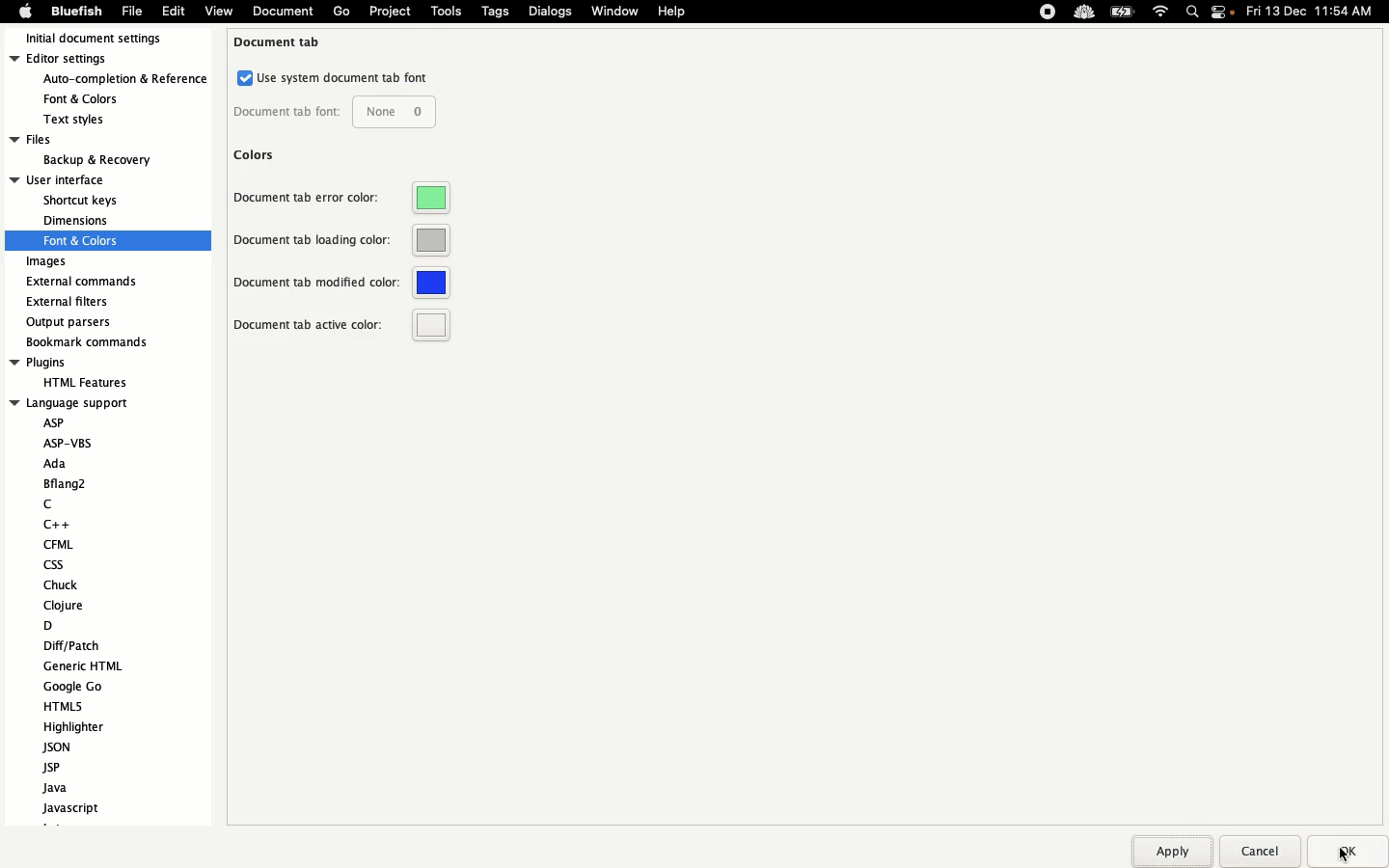  I want to click on Document tab active color, so click(342, 325).